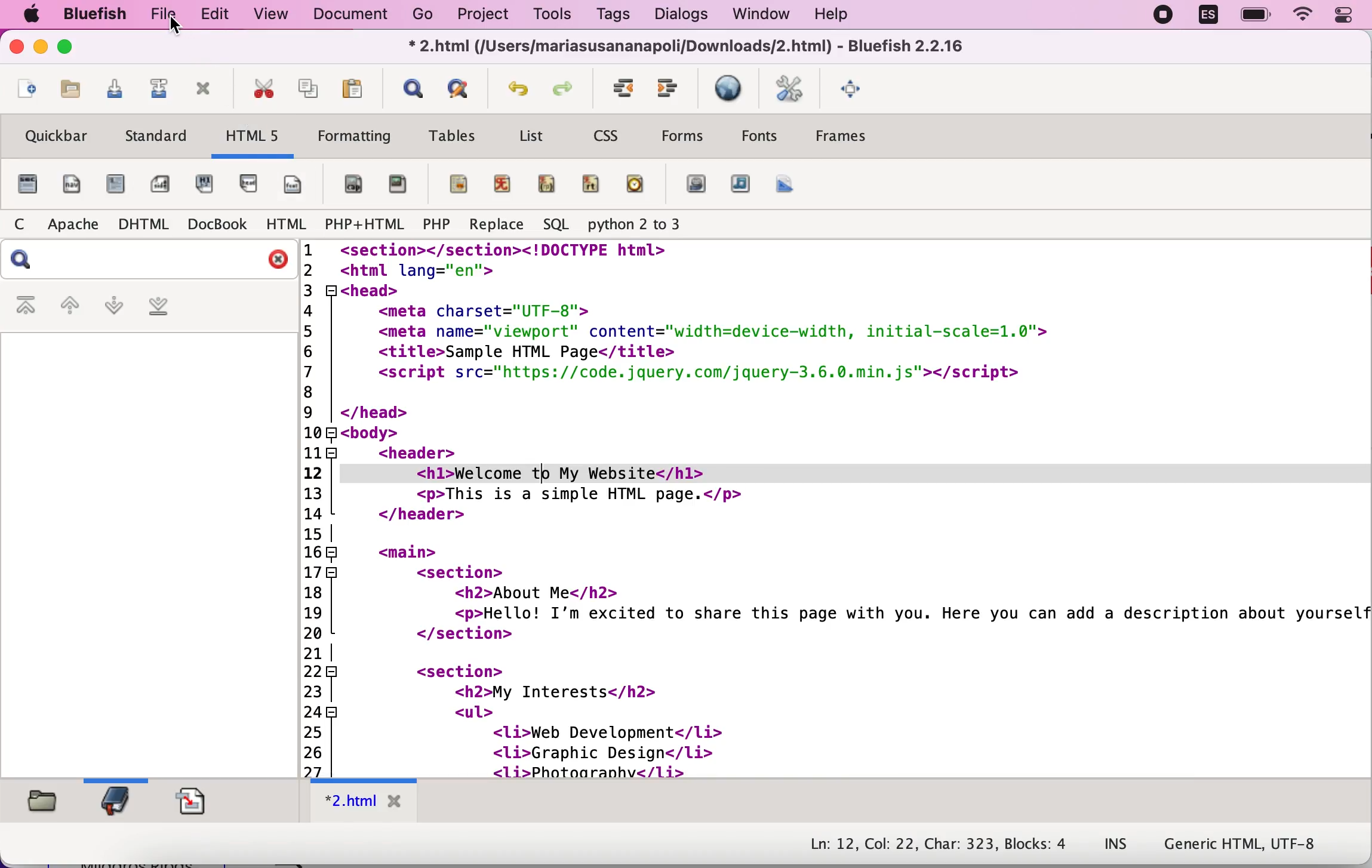  What do you see at coordinates (171, 28) in the screenshot?
I see `cursor` at bounding box center [171, 28].